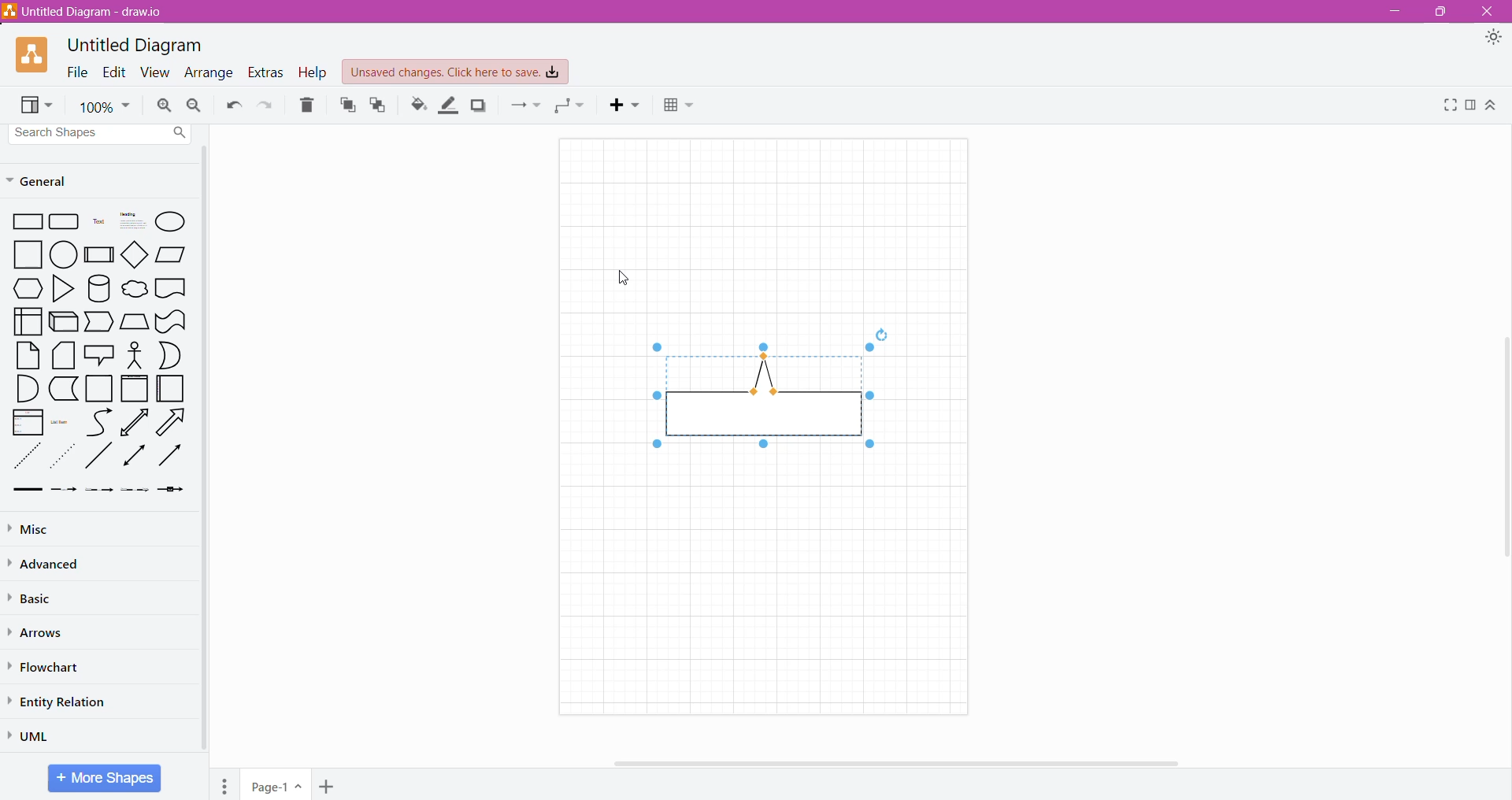  What do you see at coordinates (130, 222) in the screenshot?
I see `Heading` at bounding box center [130, 222].